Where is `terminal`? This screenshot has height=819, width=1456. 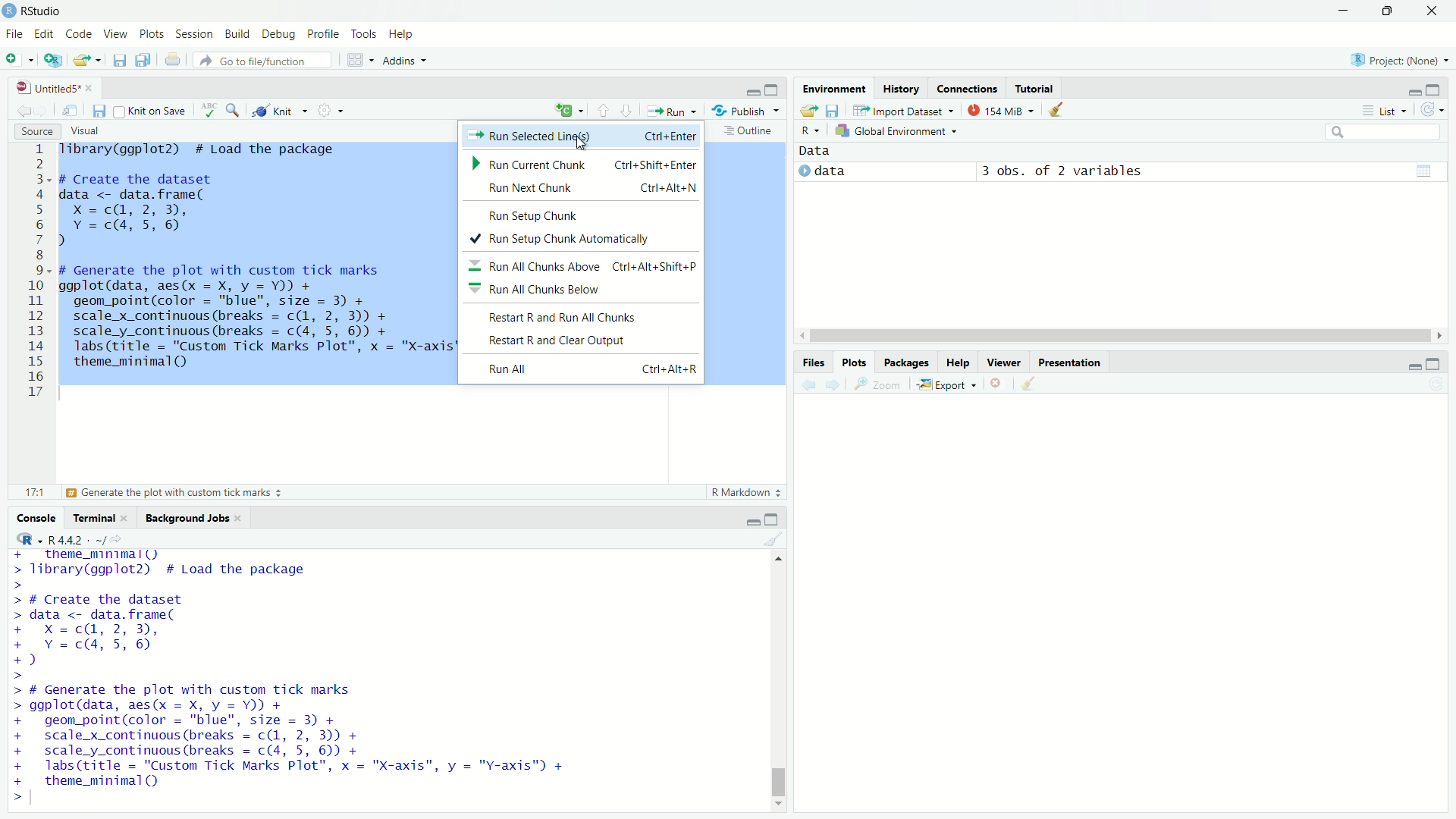 terminal is located at coordinates (93, 518).